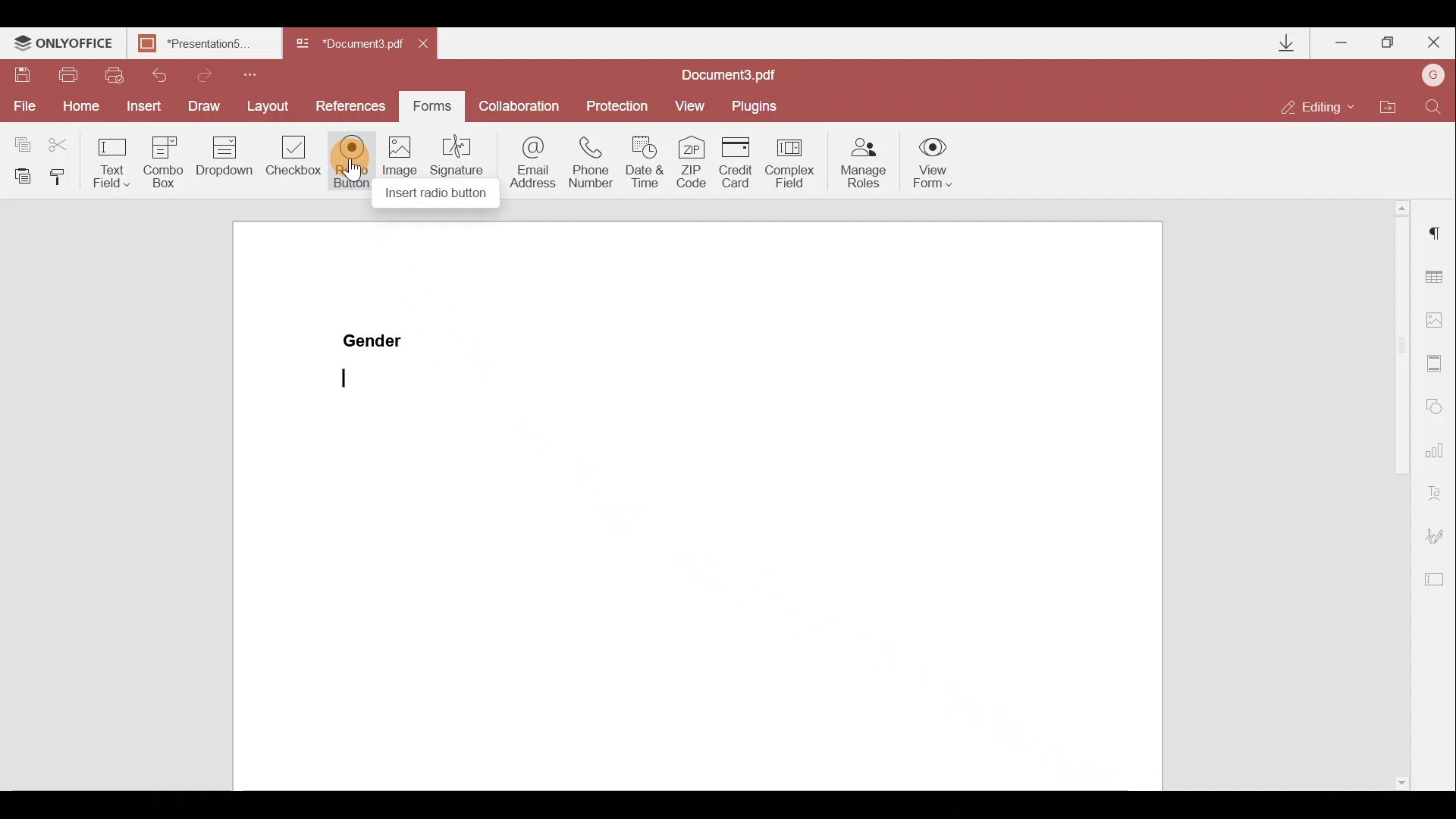 The width and height of the screenshot is (1456, 819). Describe the element at coordinates (934, 162) in the screenshot. I see `View form` at that location.